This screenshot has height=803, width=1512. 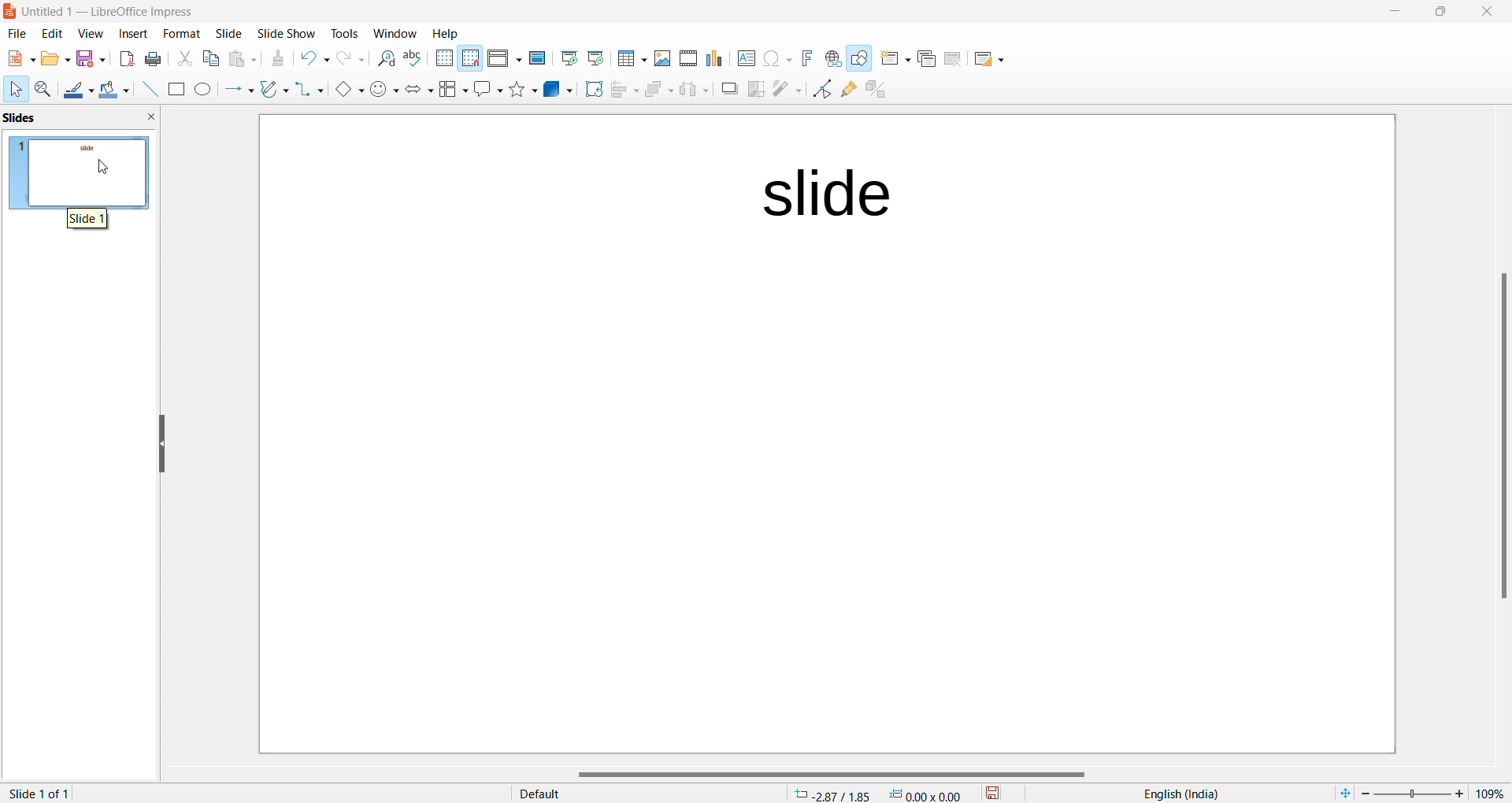 I want to click on Paste options, so click(x=244, y=58).